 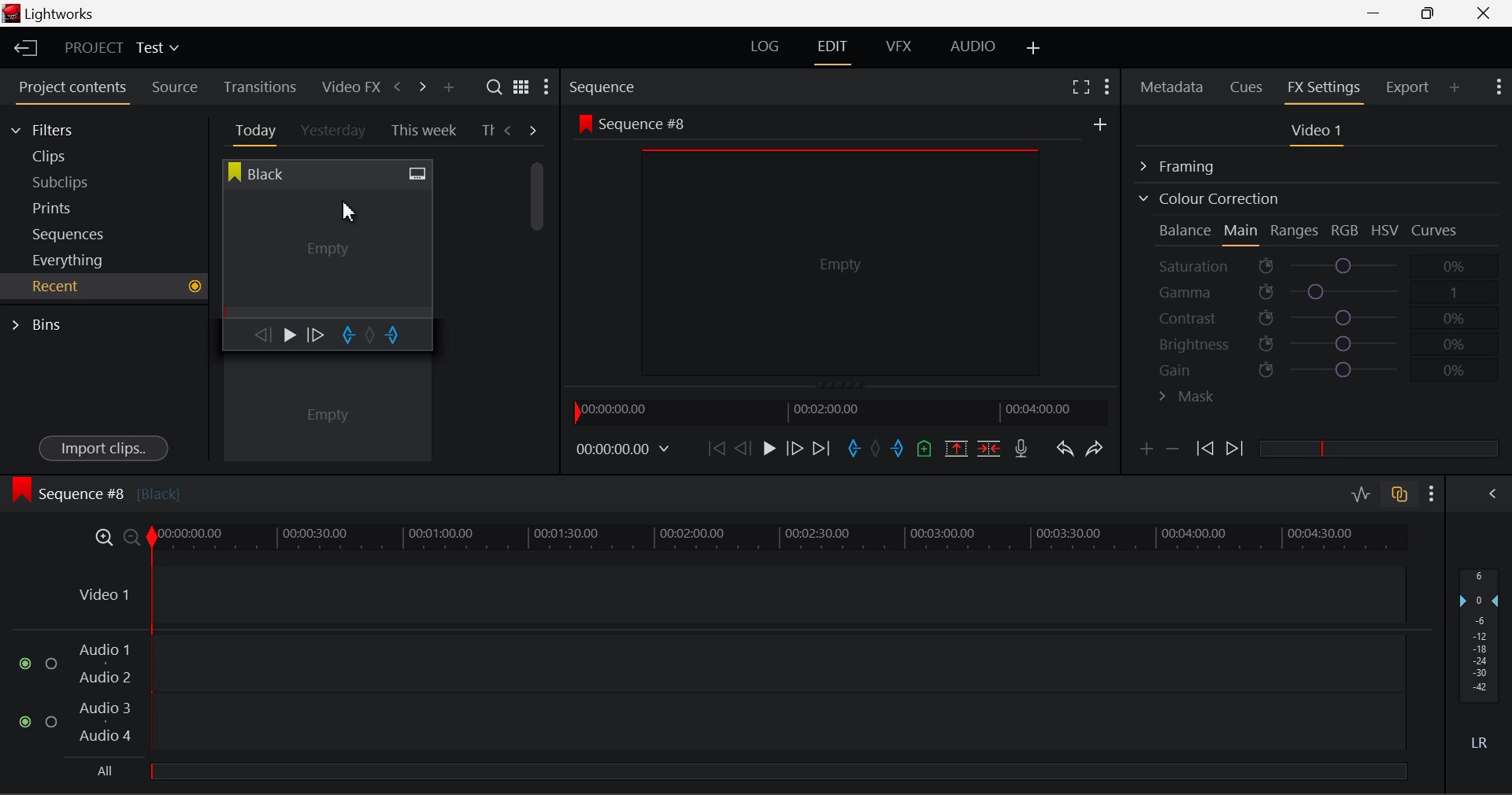 I want to click on Clips, so click(x=77, y=156).